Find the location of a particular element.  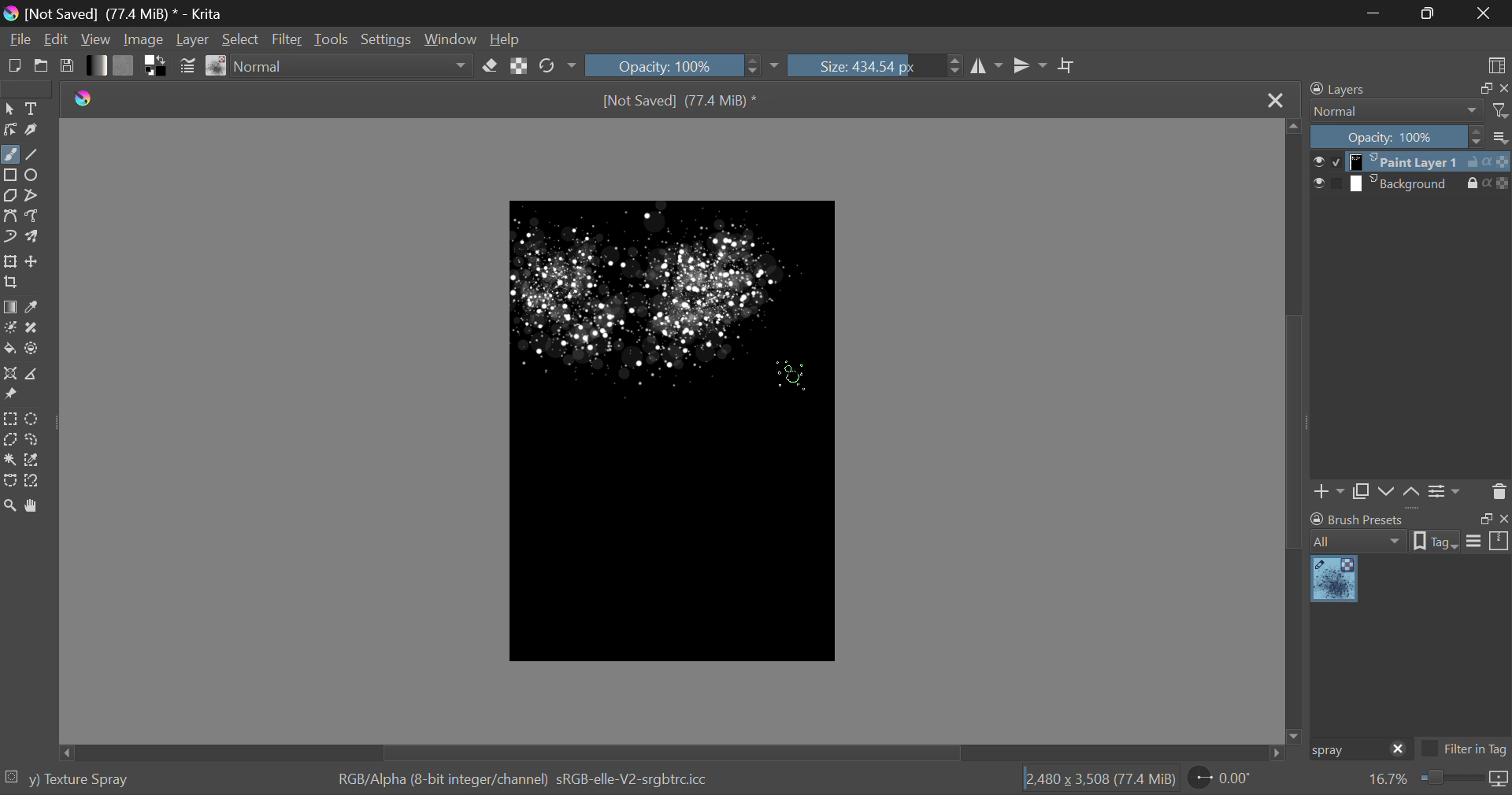

icon is located at coordinates (1499, 780).